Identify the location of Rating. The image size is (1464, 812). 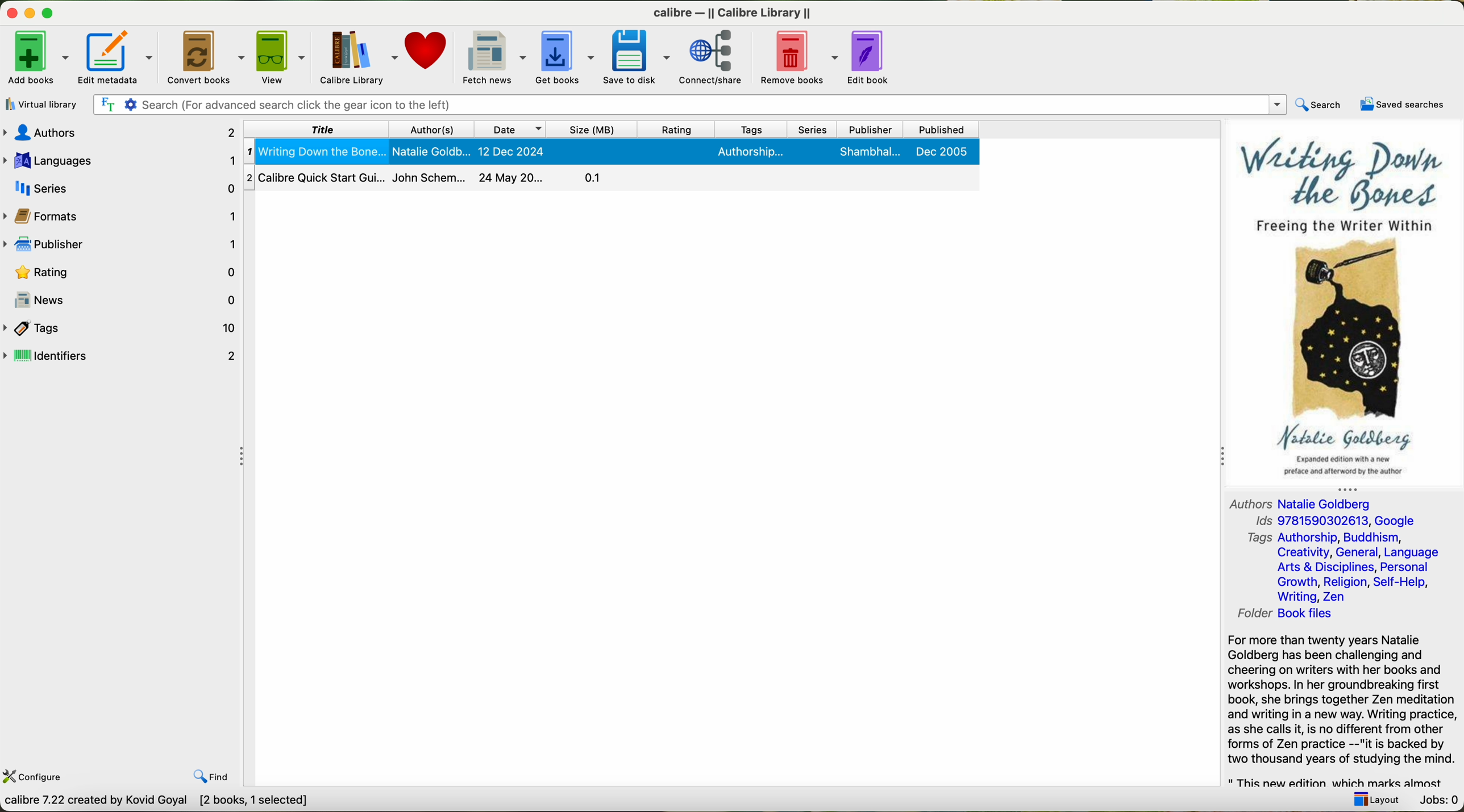
(128, 274).